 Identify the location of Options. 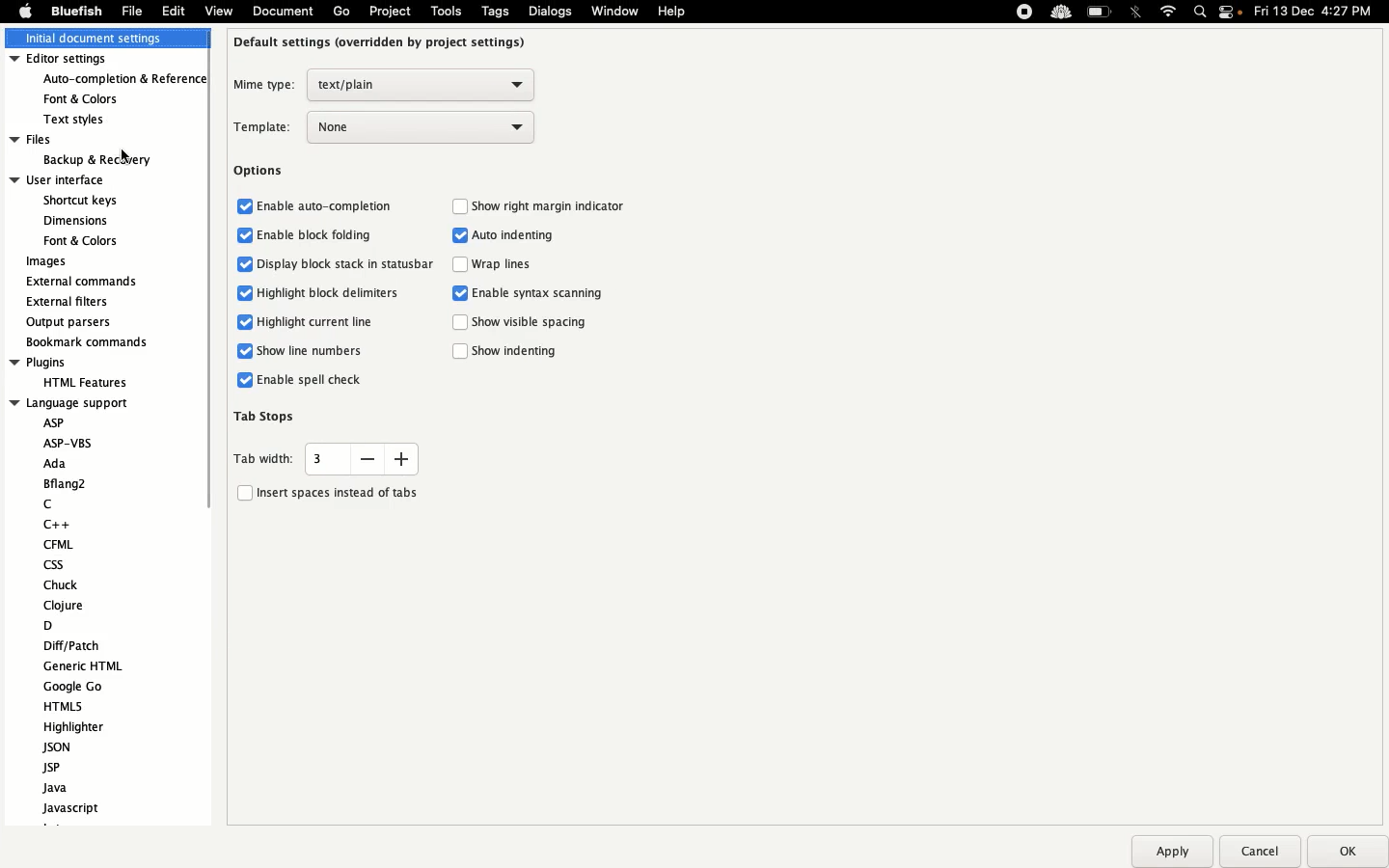
(262, 172).